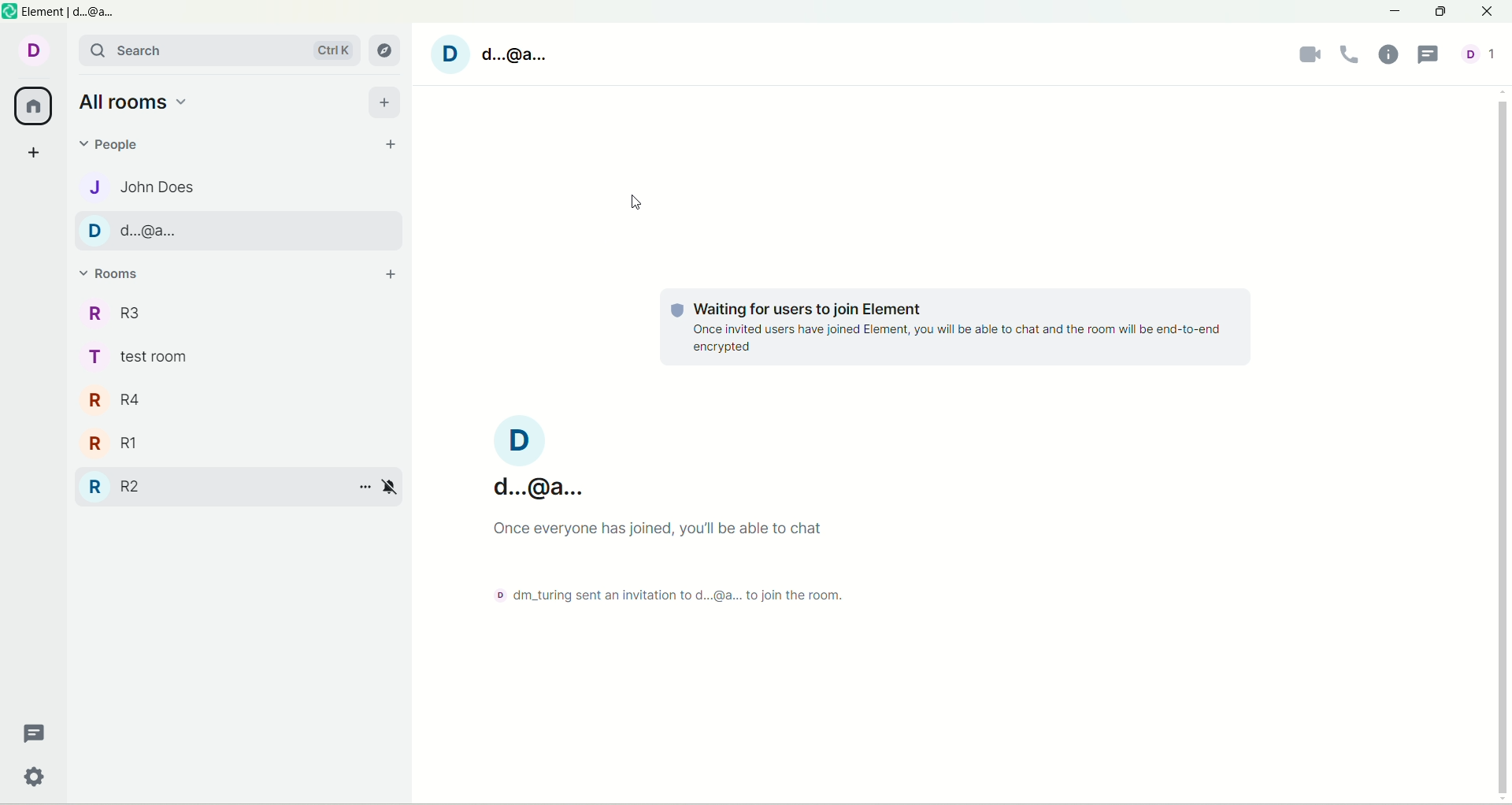  Describe the element at coordinates (147, 359) in the screenshot. I see `test room` at that location.